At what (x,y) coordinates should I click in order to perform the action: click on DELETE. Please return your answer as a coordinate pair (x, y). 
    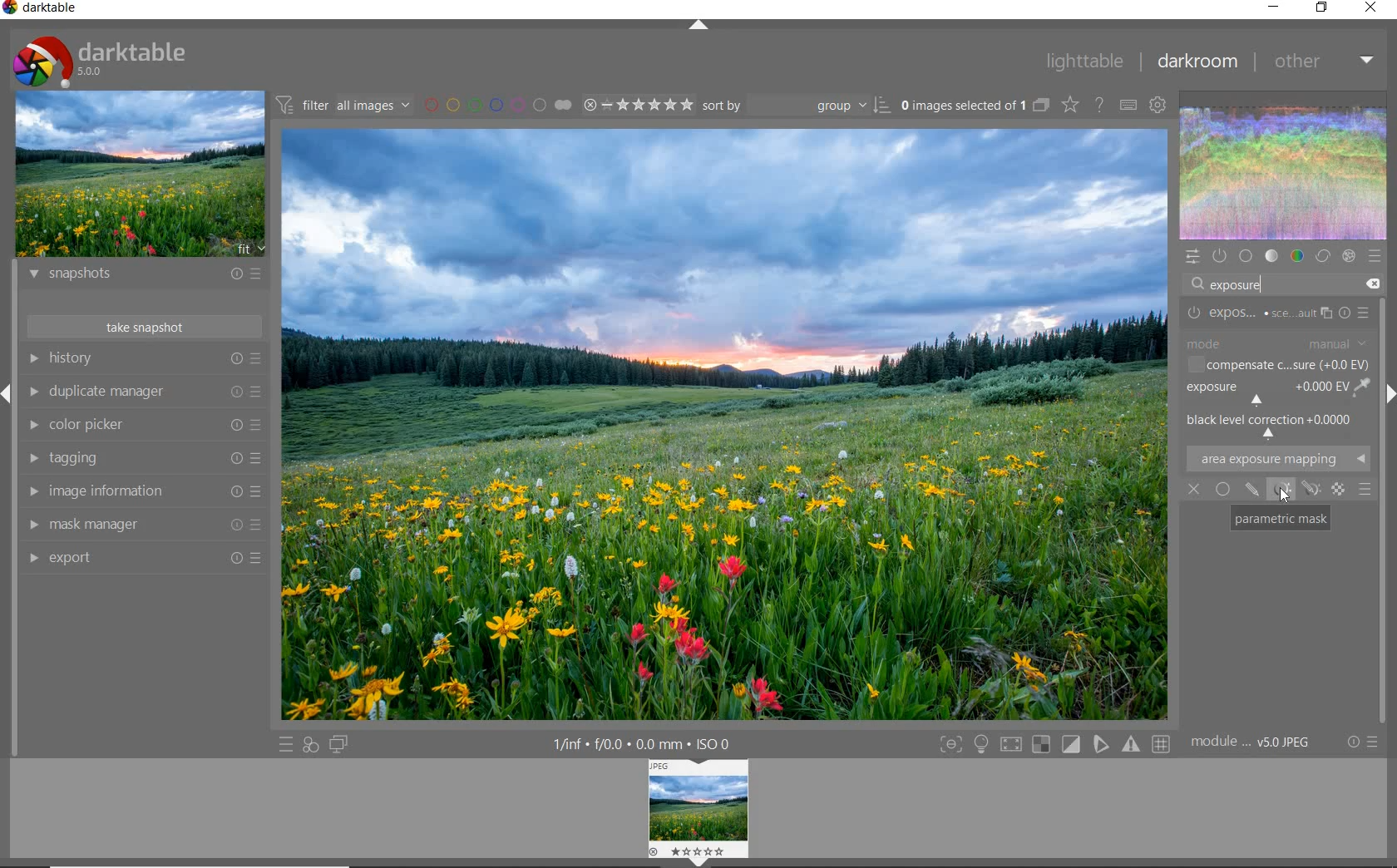
    Looking at the image, I should click on (1374, 284).